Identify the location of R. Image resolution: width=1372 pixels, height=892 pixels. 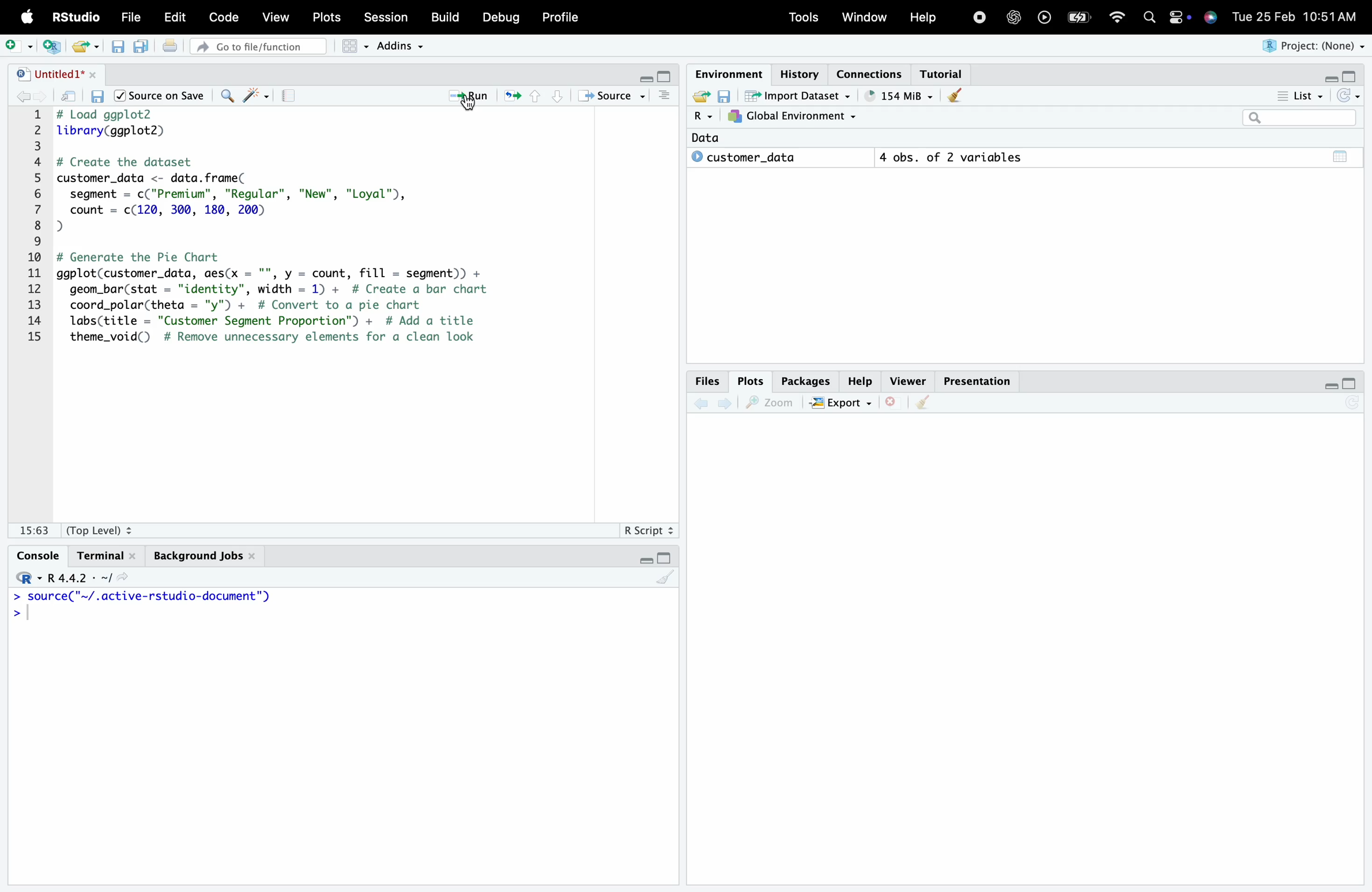
(695, 115).